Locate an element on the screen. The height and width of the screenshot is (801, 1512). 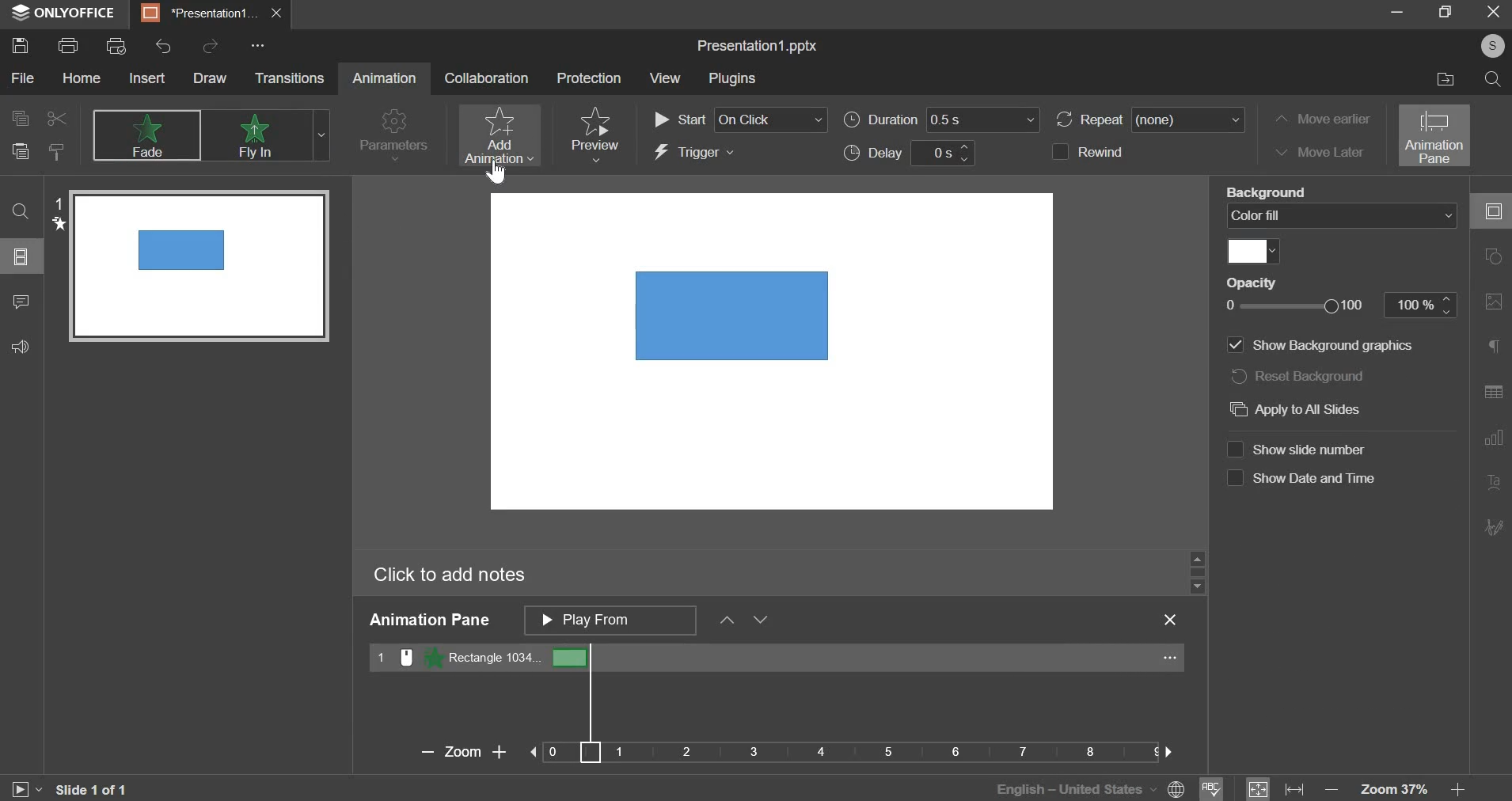
slides is located at coordinates (23, 256).